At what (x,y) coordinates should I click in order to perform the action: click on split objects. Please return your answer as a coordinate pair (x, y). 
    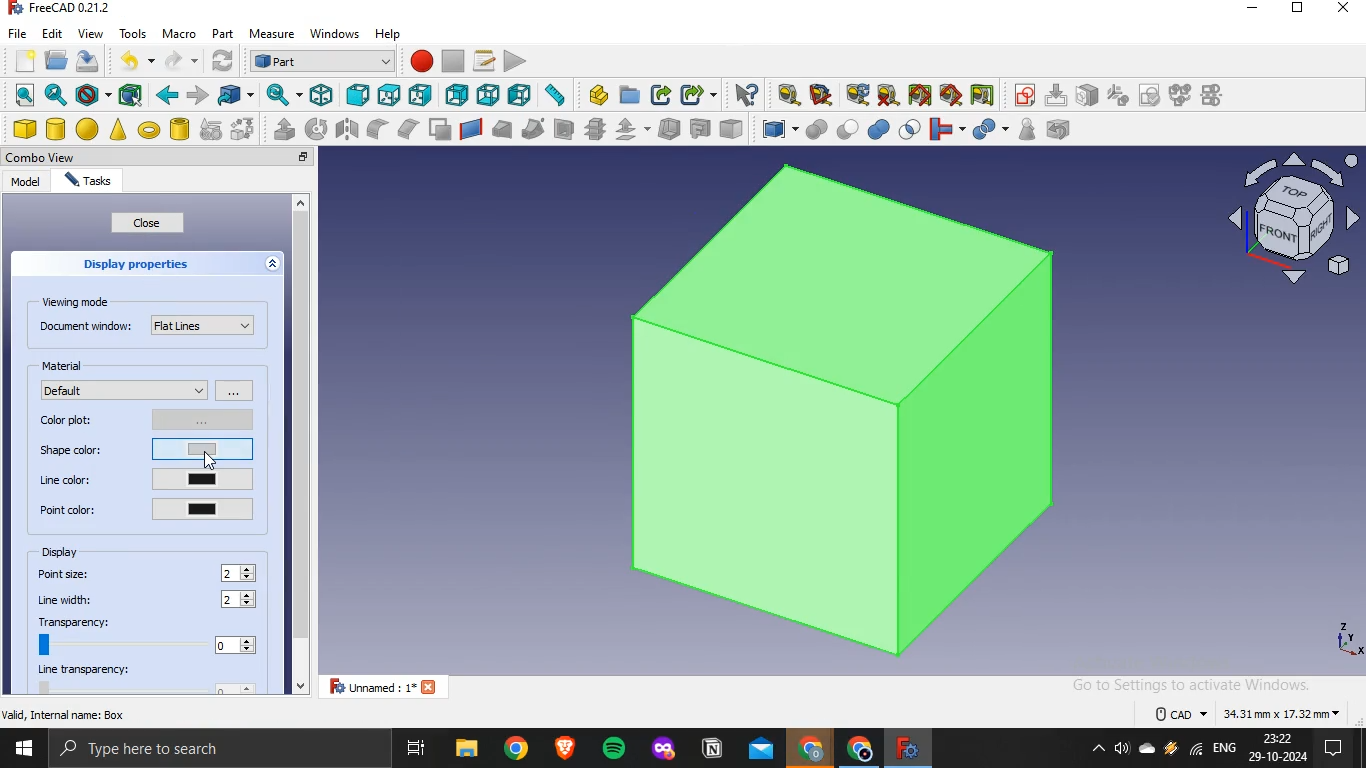
    Looking at the image, I should click on (987, 130).